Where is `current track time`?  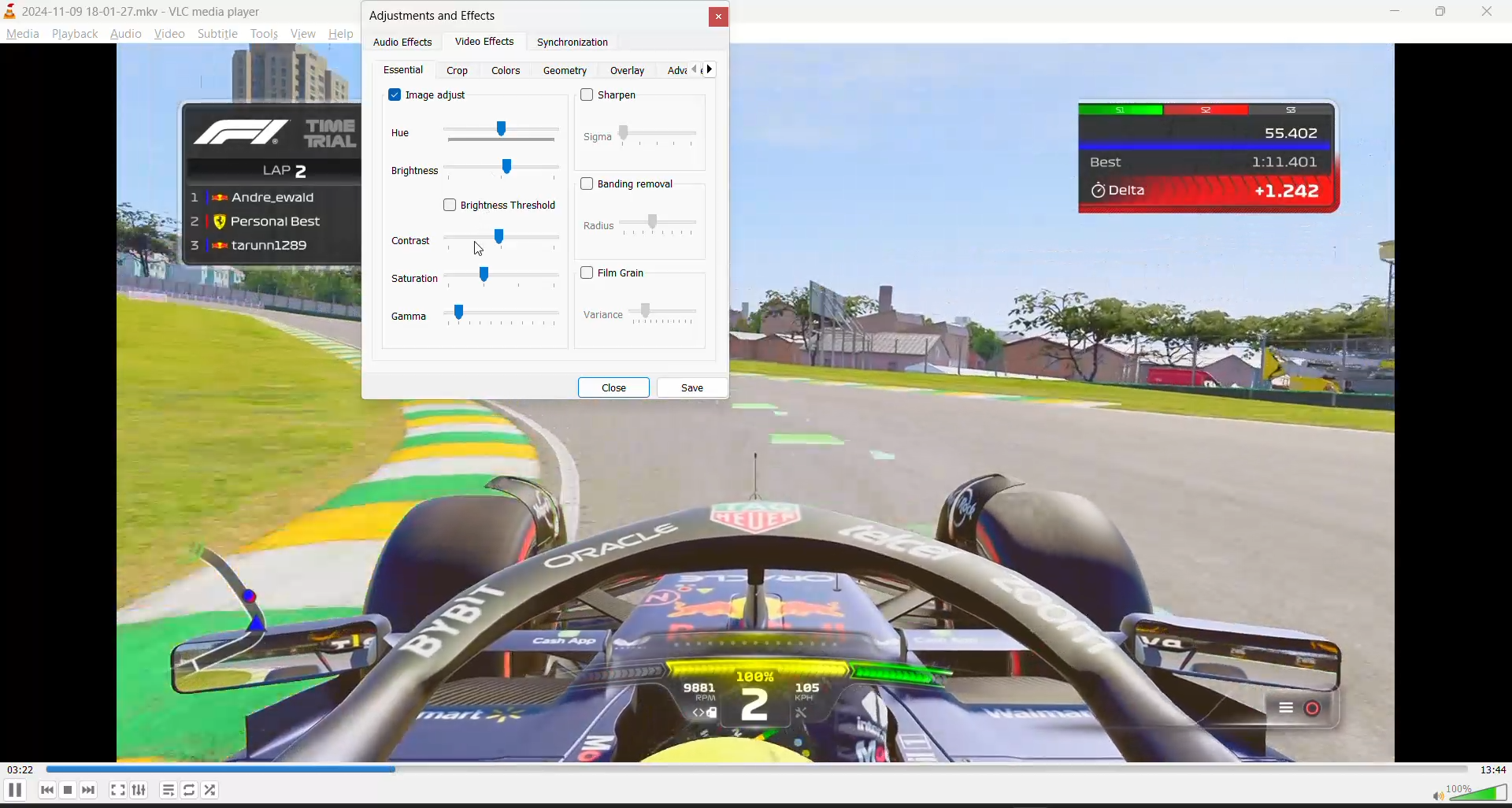 current track time is located at coordinates (20, 770).